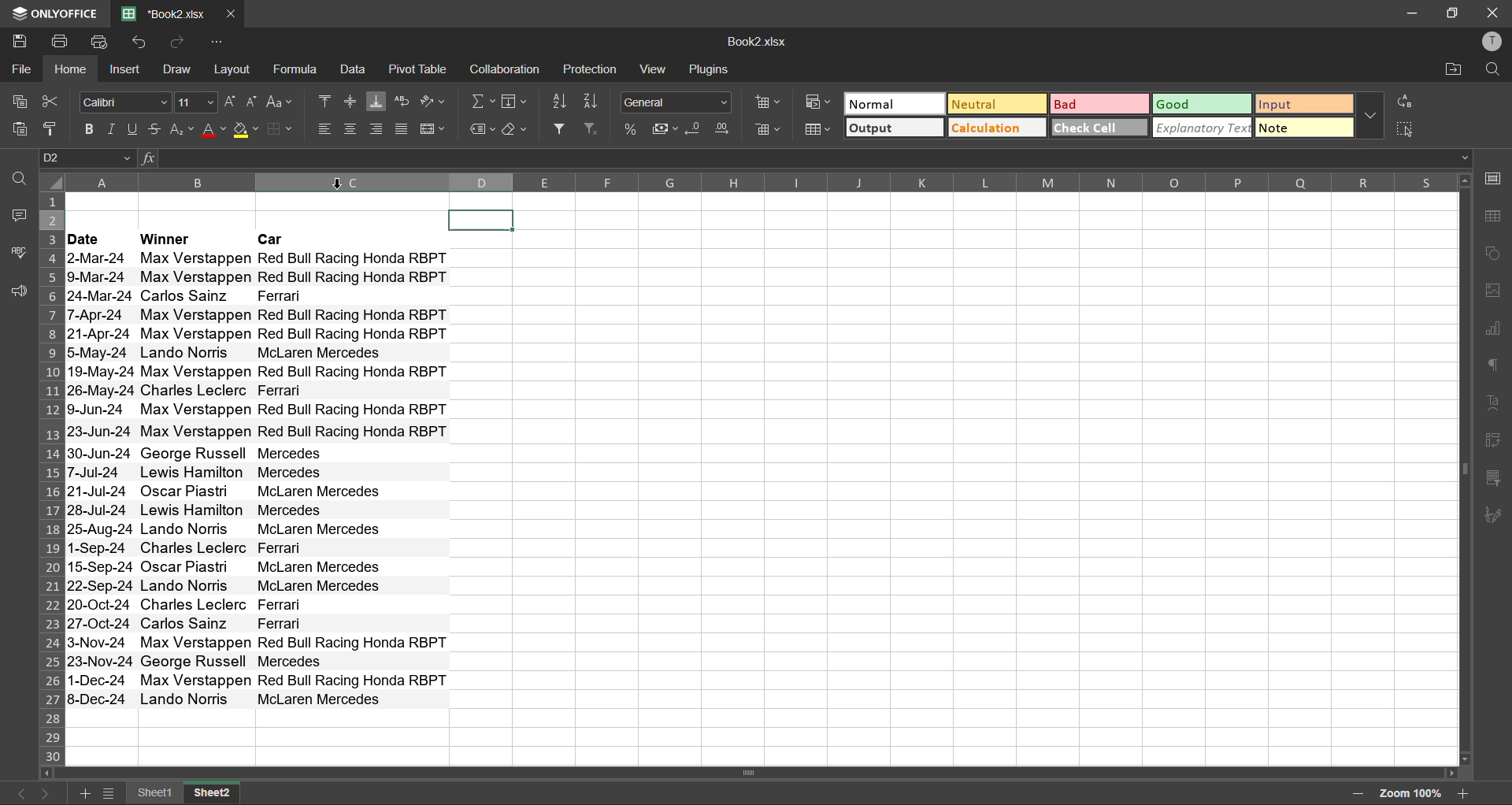  Describe the element at coordinates (196, 102) in the screenshot. I see `font size` at that location.